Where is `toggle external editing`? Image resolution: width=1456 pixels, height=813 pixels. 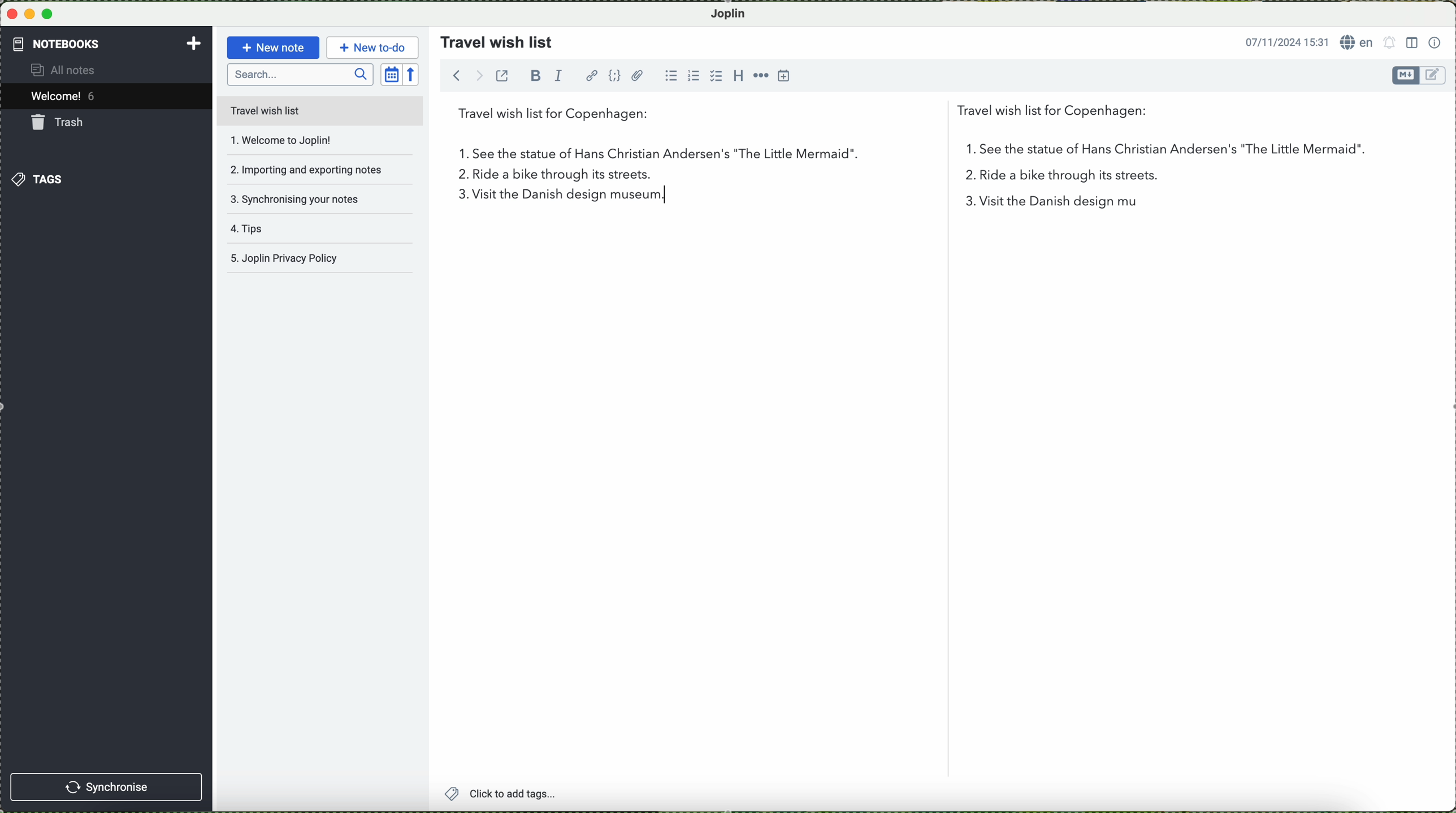
toggle external editing is located at coordinates (505, 80).